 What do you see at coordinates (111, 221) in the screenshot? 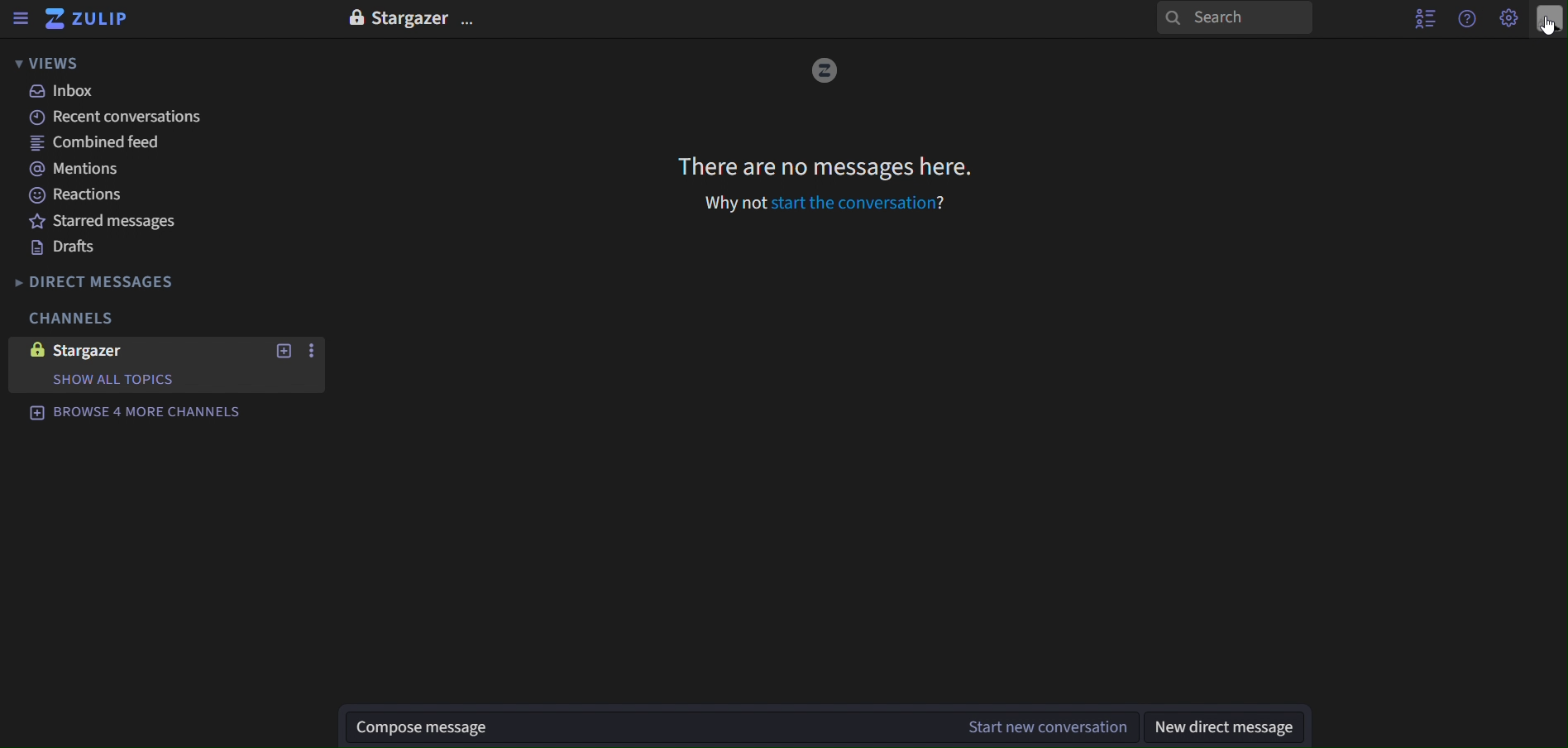
I see `starred messages` at bounding box center [111, 221].